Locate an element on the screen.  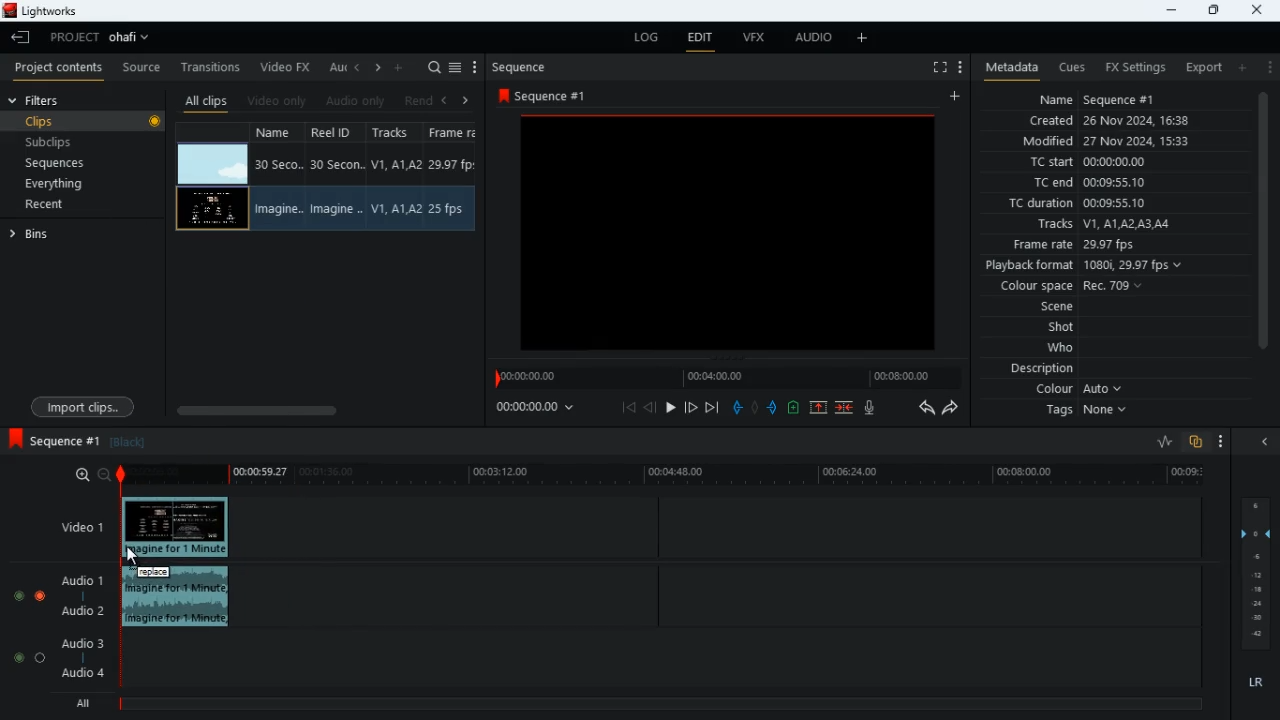
video only is located at coordinates (278, 99).